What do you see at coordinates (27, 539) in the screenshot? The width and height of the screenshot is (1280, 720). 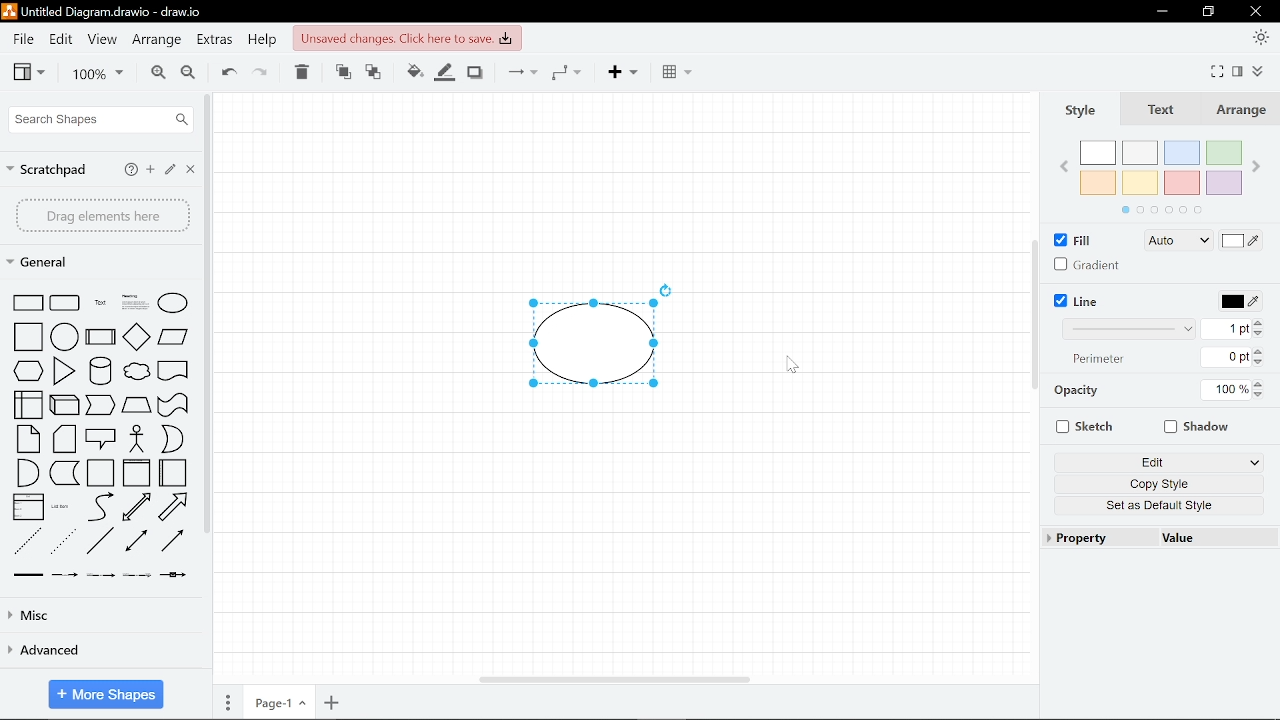 I see `dashed line` at bounding box center [27, 539].